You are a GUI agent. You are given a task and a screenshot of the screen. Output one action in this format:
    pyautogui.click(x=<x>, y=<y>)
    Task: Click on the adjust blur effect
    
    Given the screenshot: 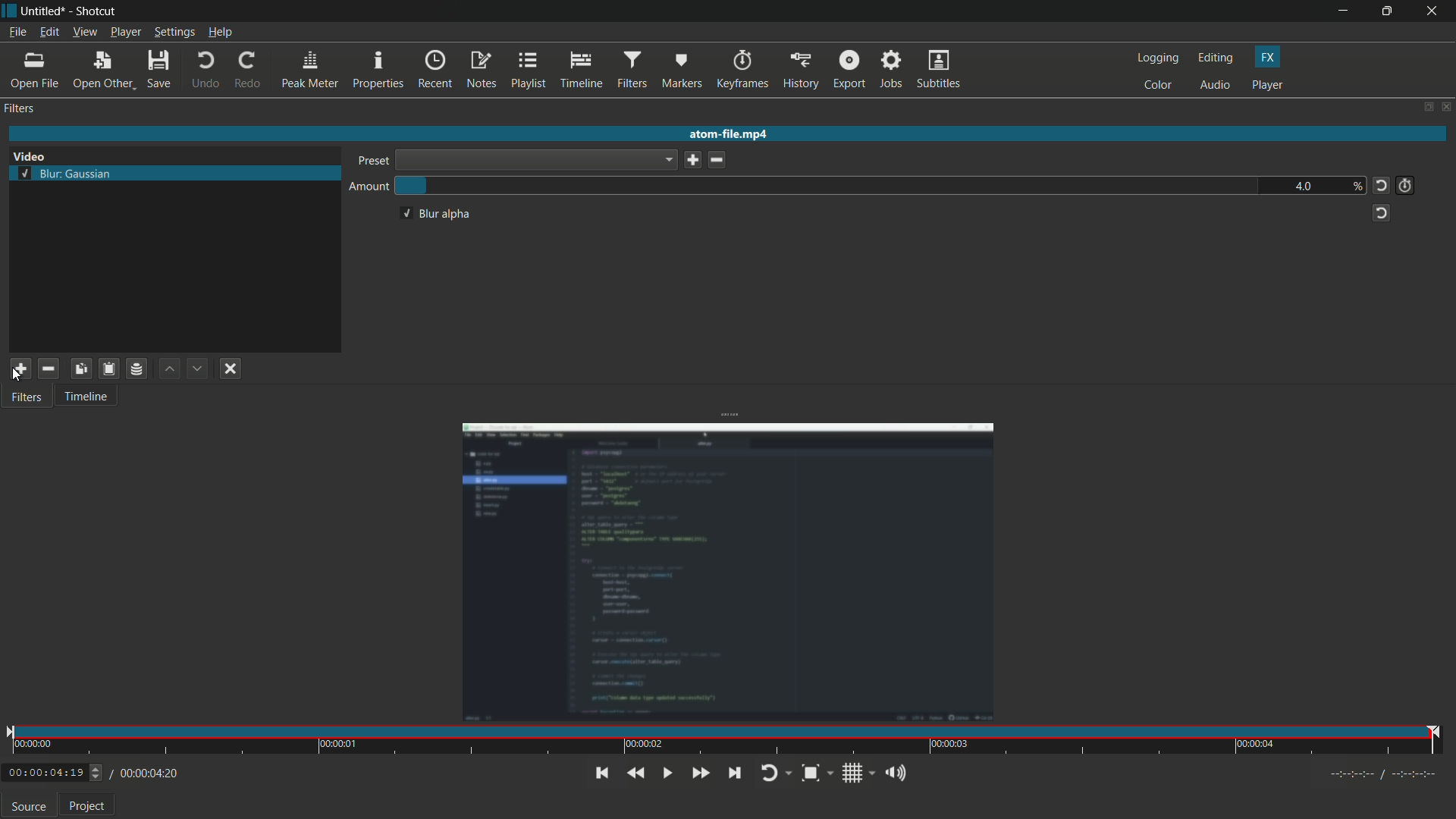 What is the action you would take?
    pyautogui.click(x=827, y=186)
    